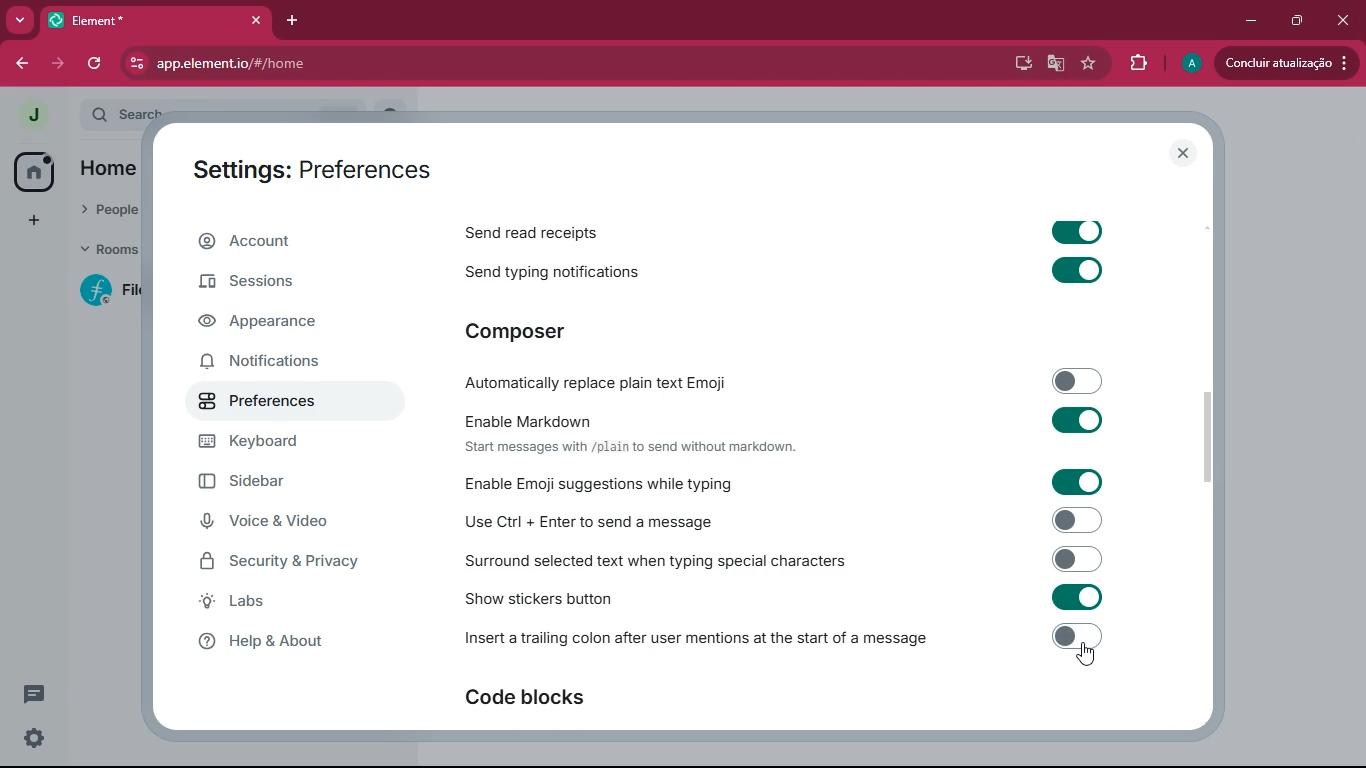 This screenshot has width=1366, height=768. Describe the element at coordinates (1086, 64) in the screenshot. I see `favourite` at that location.